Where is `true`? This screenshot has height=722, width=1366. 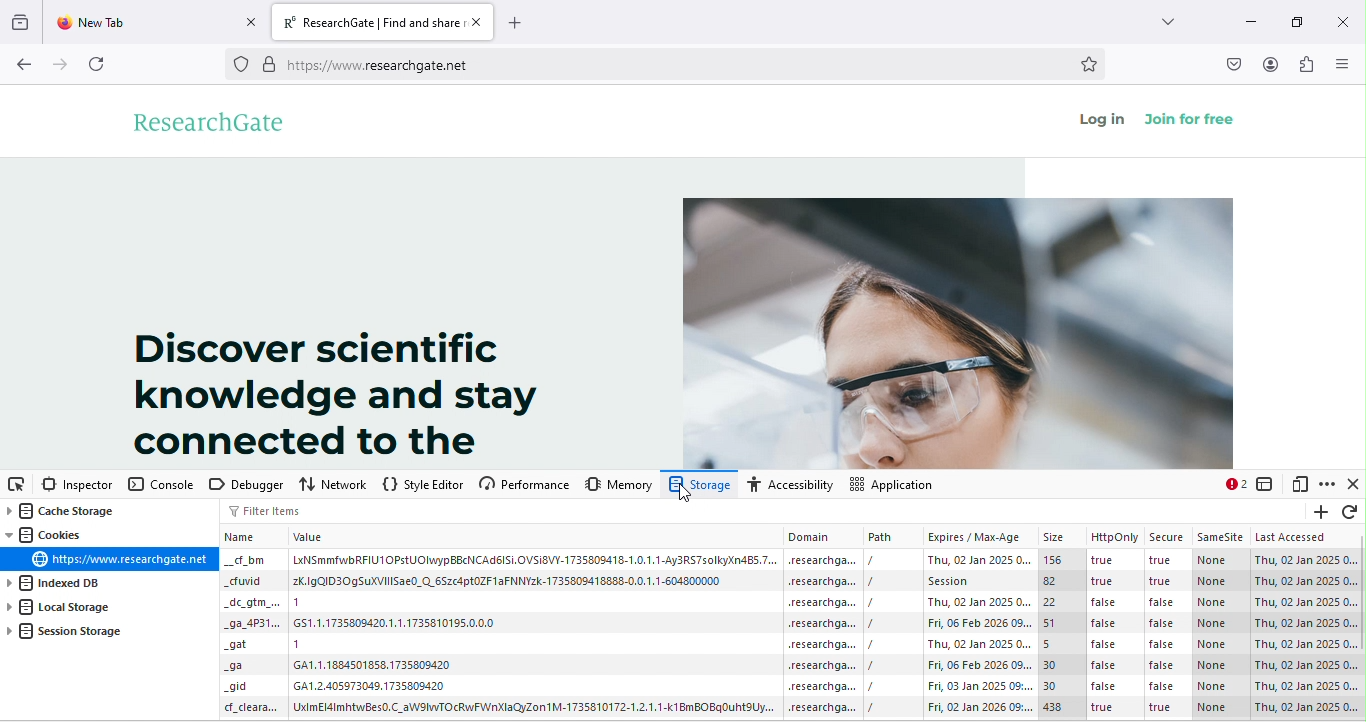 true is located at coordinates (1162, 581).